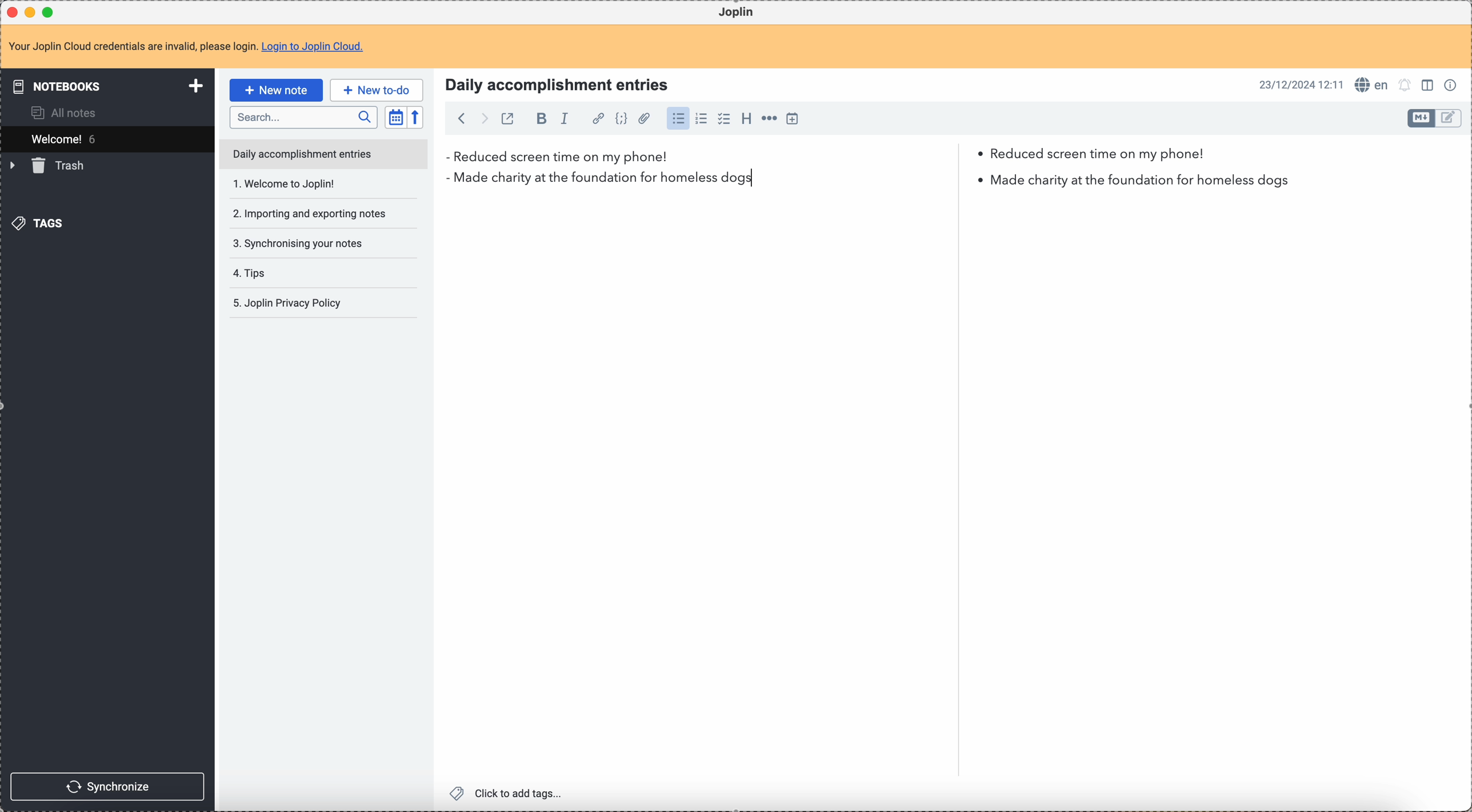 Image resolution: width=1472 pixels, height=812 pixels. I want to click on all notes, so click(59, 113).